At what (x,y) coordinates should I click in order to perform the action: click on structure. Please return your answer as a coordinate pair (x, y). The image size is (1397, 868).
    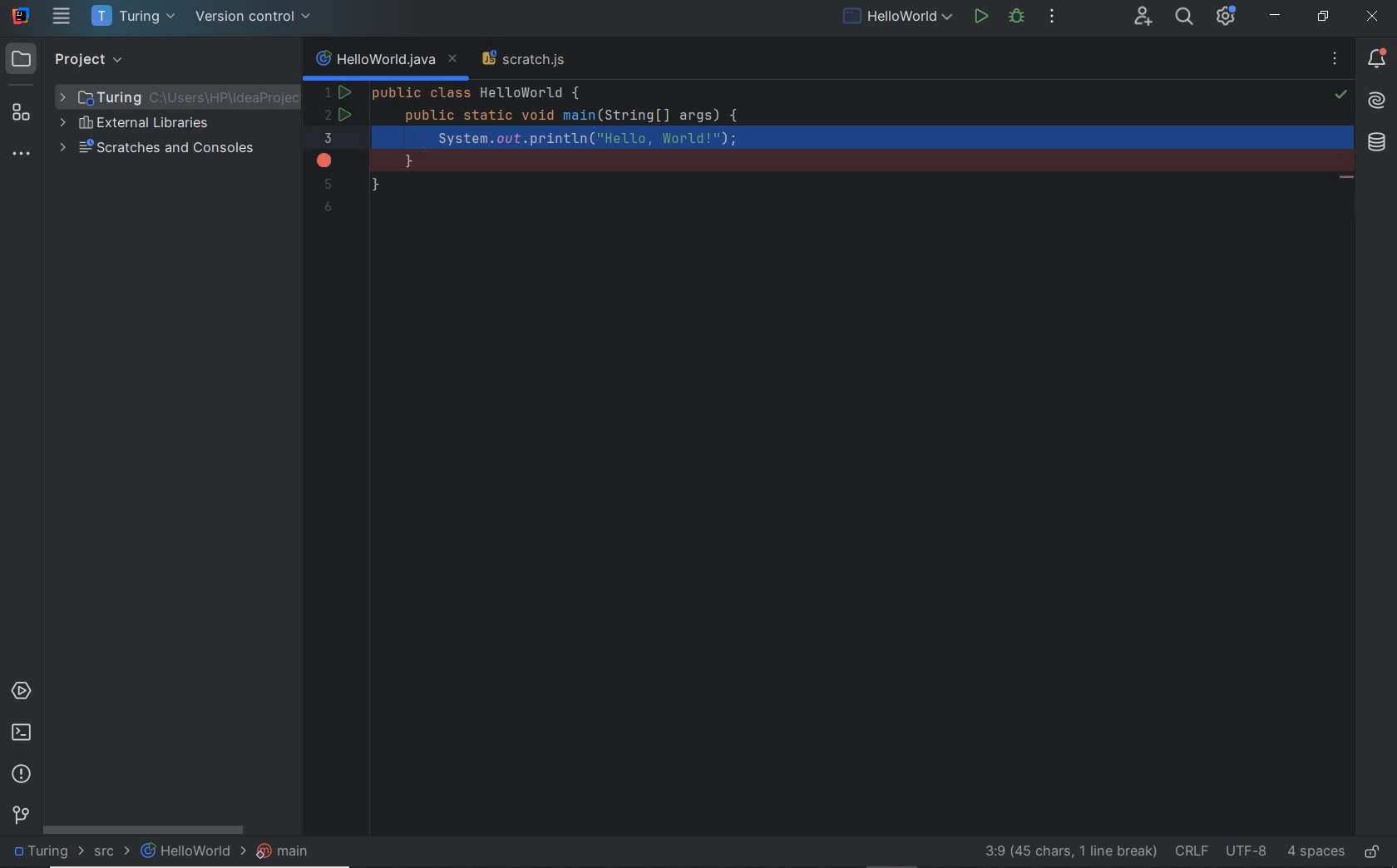
    Looking at the image, I should click on (21, 116).